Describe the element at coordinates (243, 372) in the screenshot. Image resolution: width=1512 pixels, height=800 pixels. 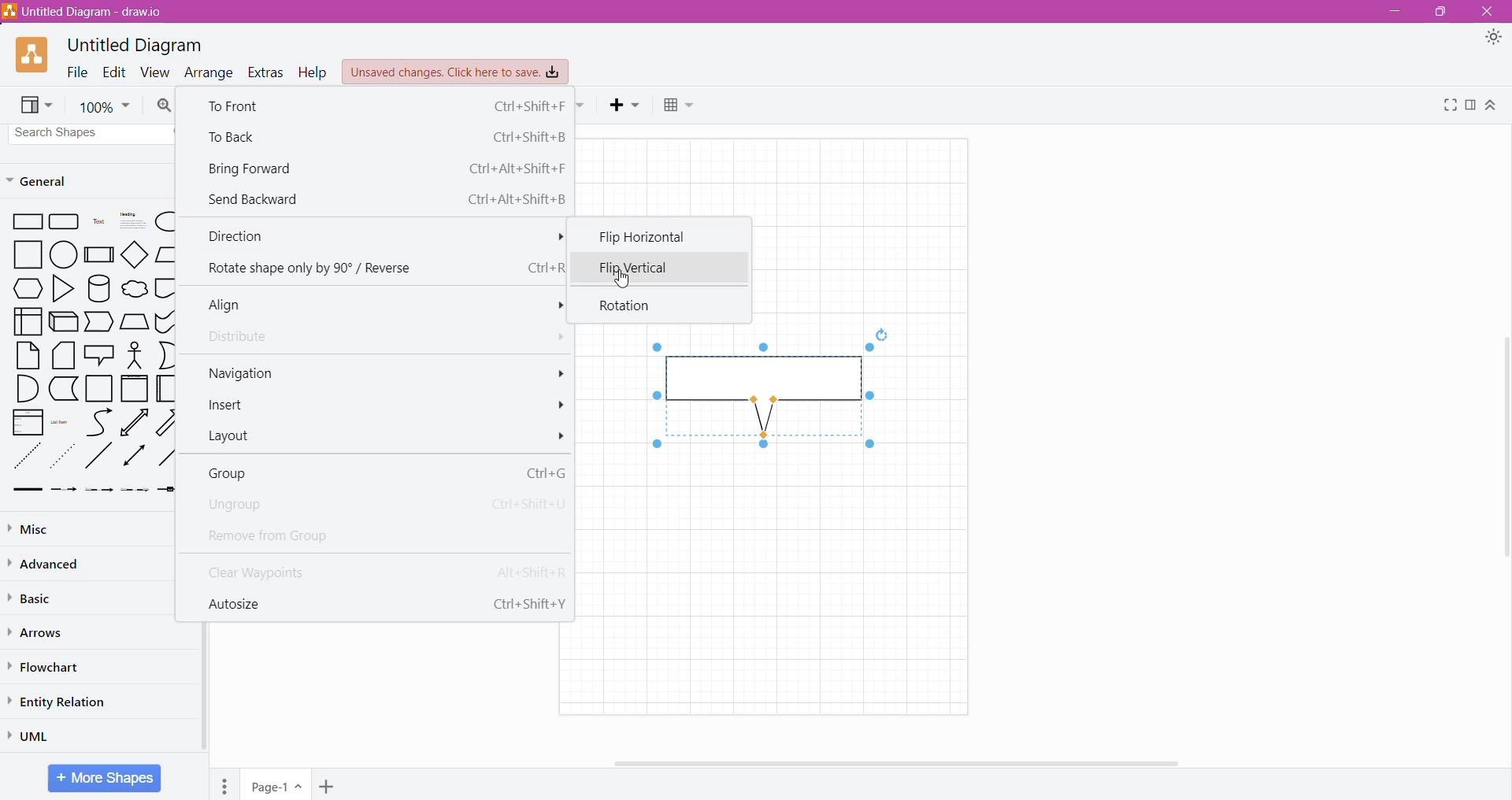
I see `Navigation` at that location.